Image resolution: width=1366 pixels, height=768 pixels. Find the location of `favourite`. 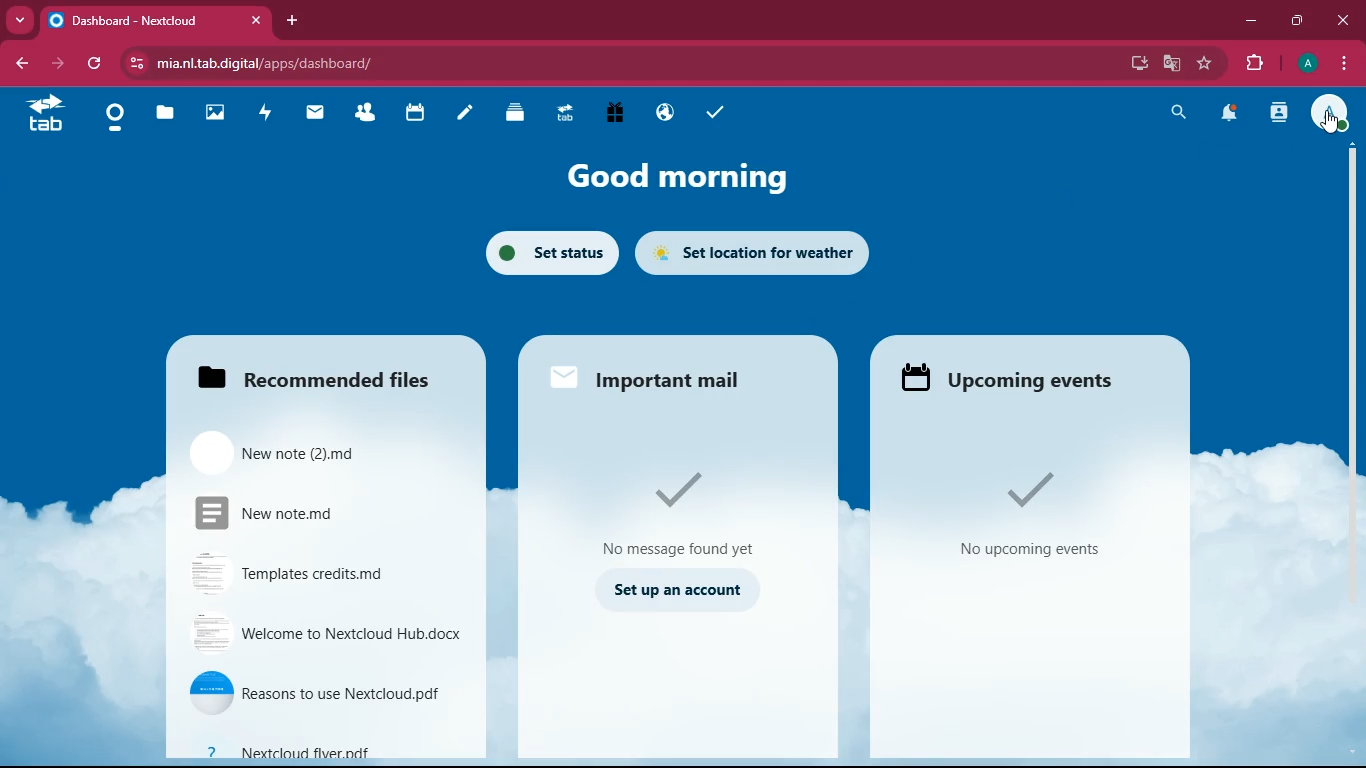

favourite is located at coordinates (1205, 64).